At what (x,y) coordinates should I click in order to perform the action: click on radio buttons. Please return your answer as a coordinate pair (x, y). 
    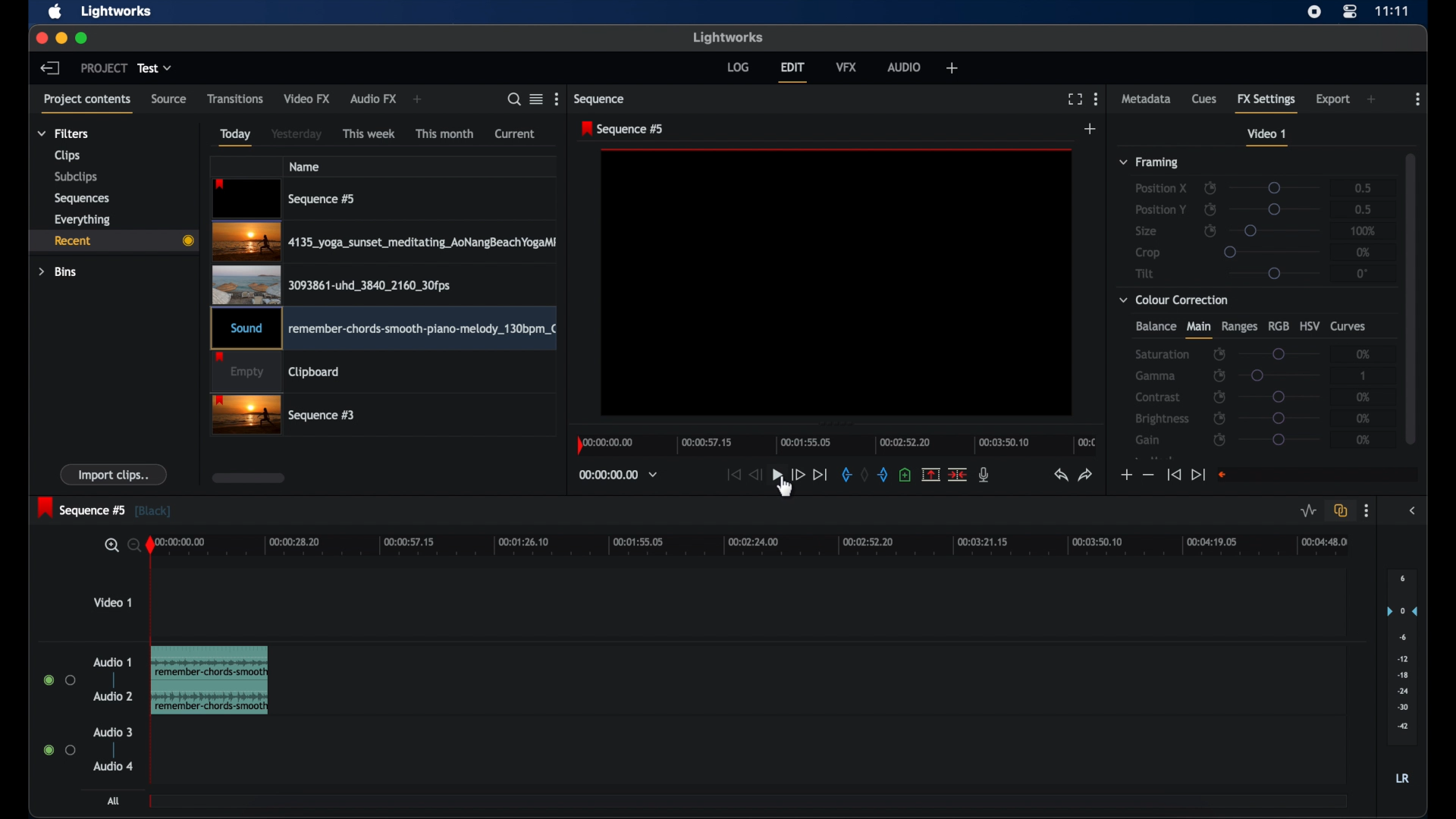
    Looking at the image, I should click on (60, 679).